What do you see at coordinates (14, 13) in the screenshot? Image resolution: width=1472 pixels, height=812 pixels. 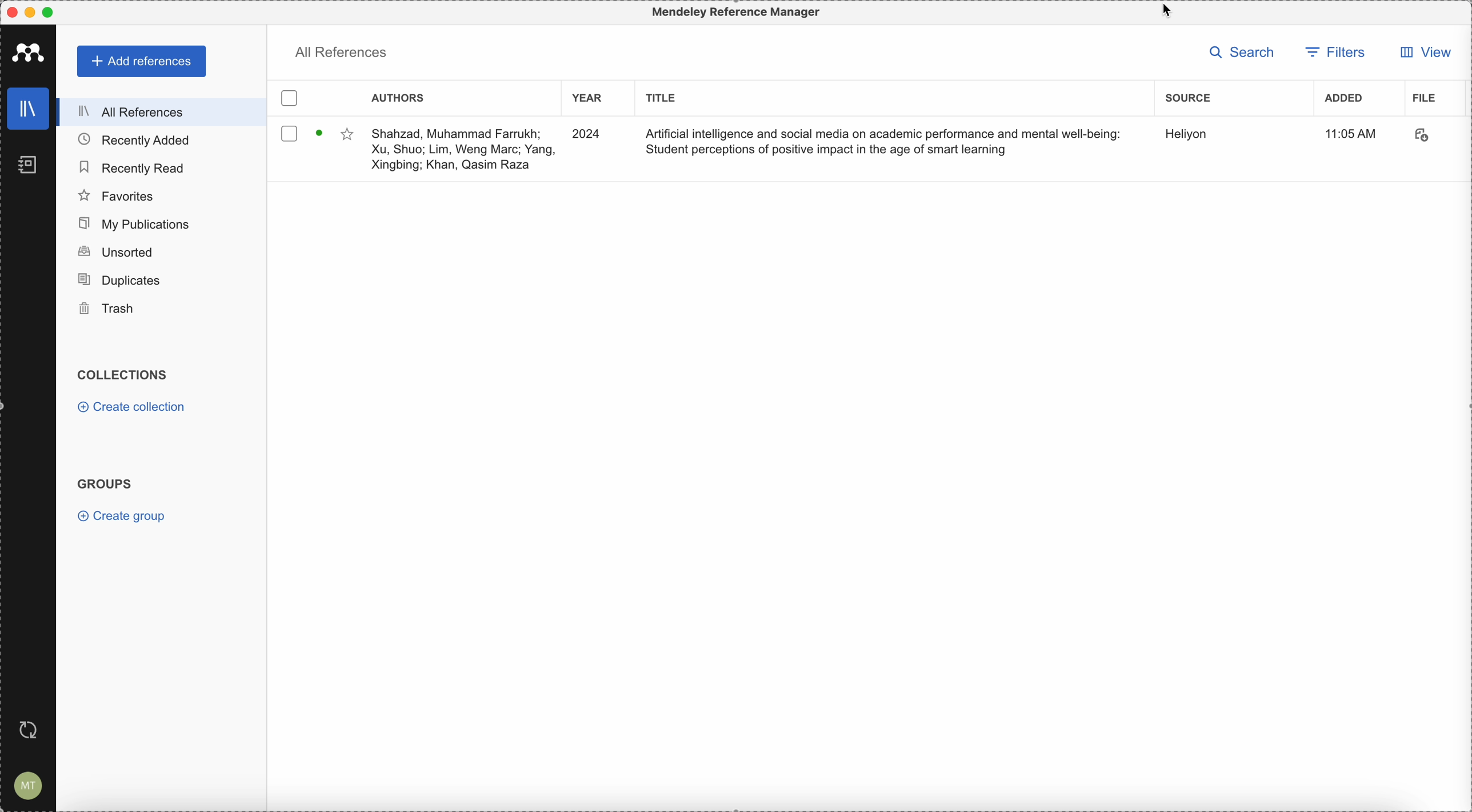 I see `close Mendeley` at bounding box center [14, 13].